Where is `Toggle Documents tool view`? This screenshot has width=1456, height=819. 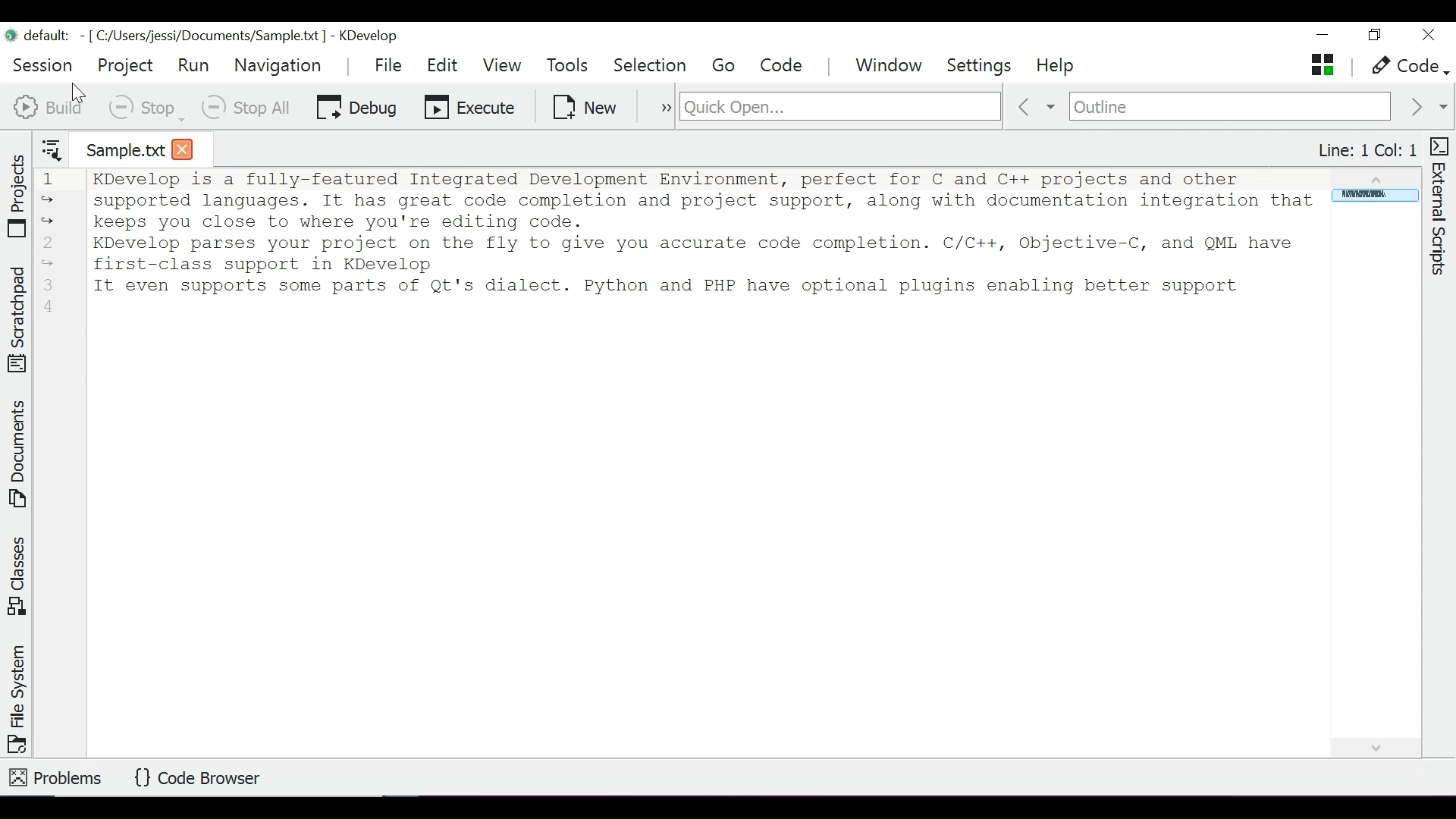 Toggle Documents tool view is located at coordinates (17, 453).